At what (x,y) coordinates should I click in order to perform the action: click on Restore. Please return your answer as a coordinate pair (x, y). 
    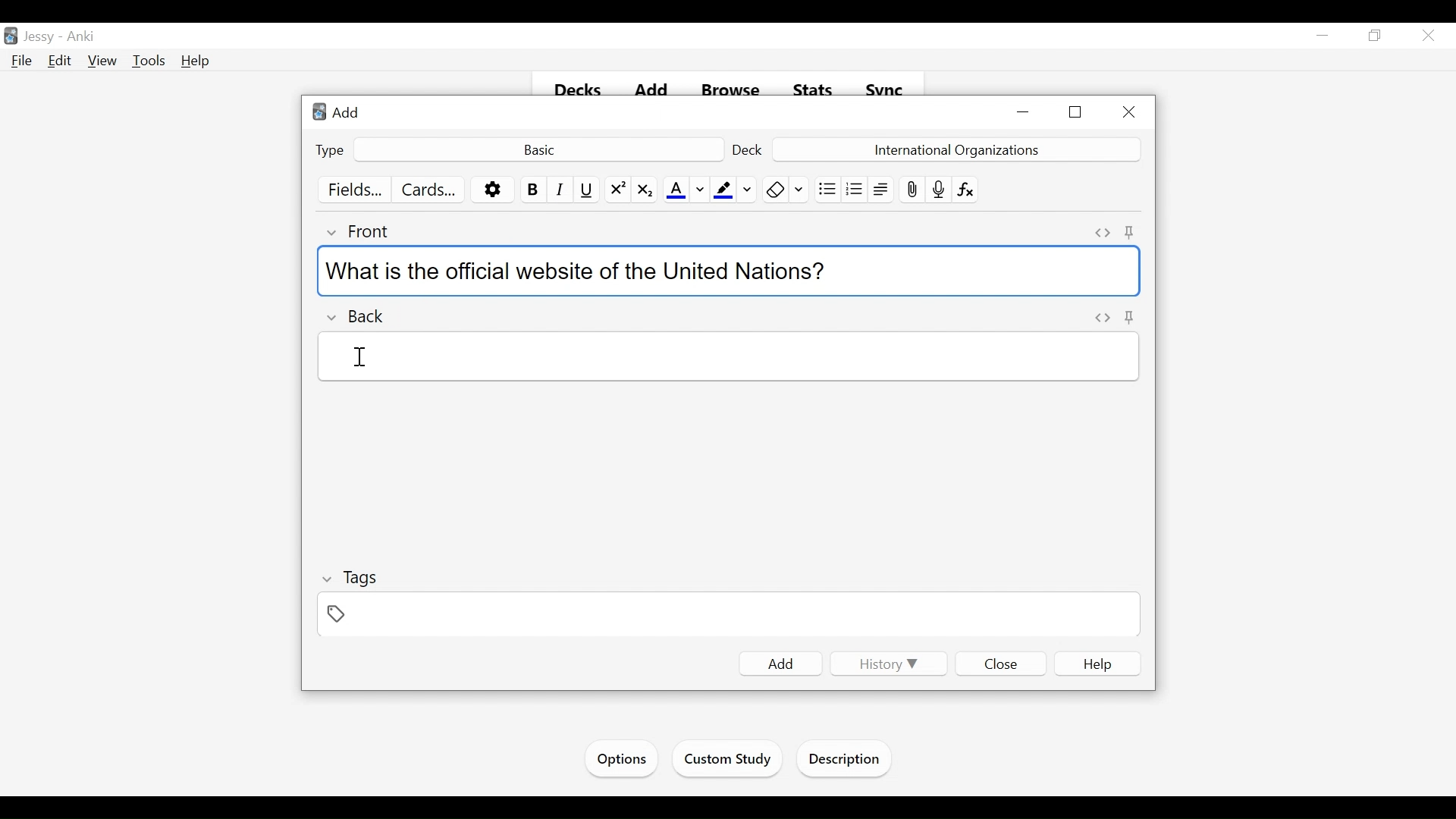
    Looking at the image, I should click on (1377, 35).